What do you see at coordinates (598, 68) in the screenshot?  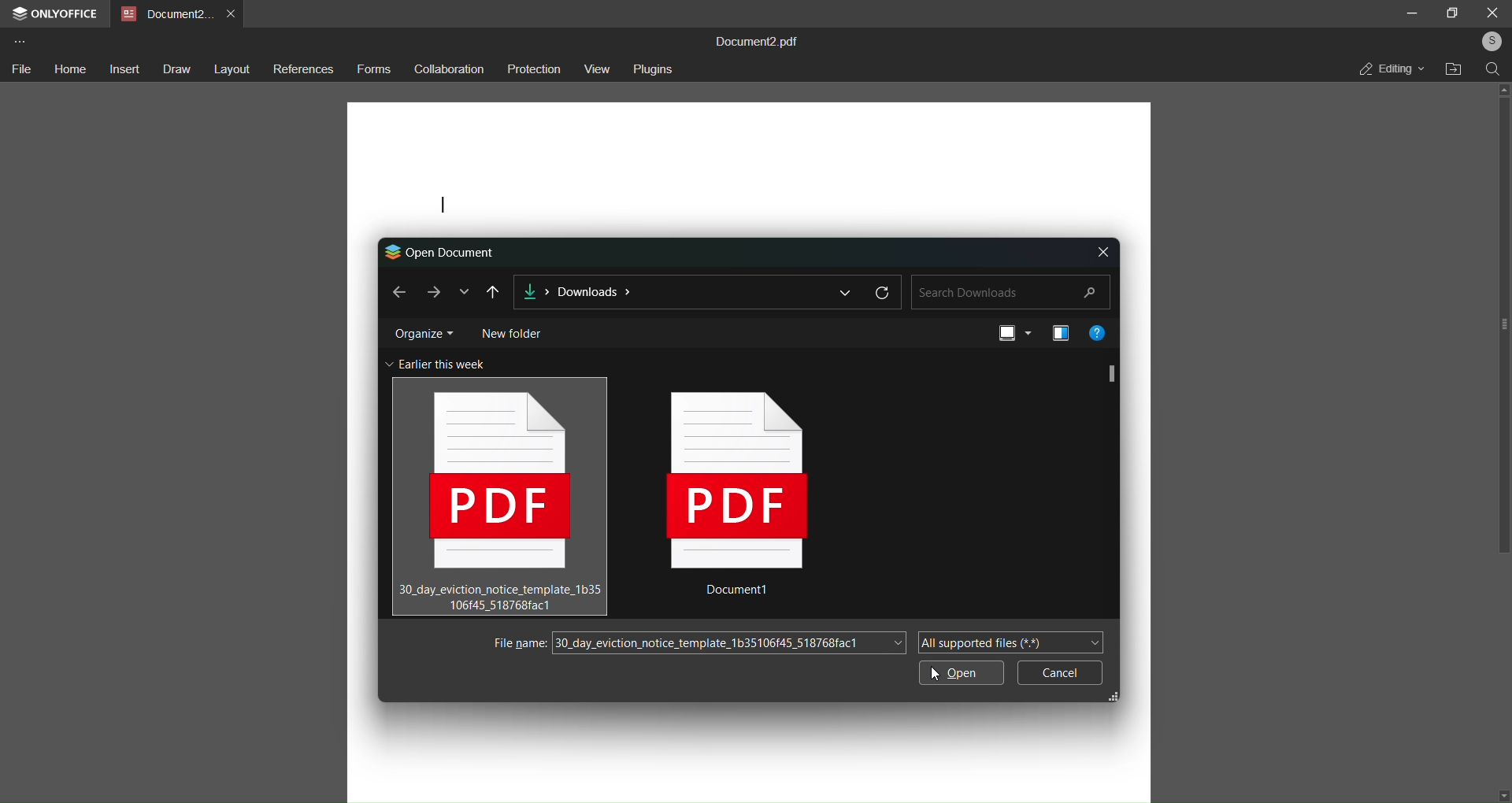 I see `view` at bounding box center [598, 68].